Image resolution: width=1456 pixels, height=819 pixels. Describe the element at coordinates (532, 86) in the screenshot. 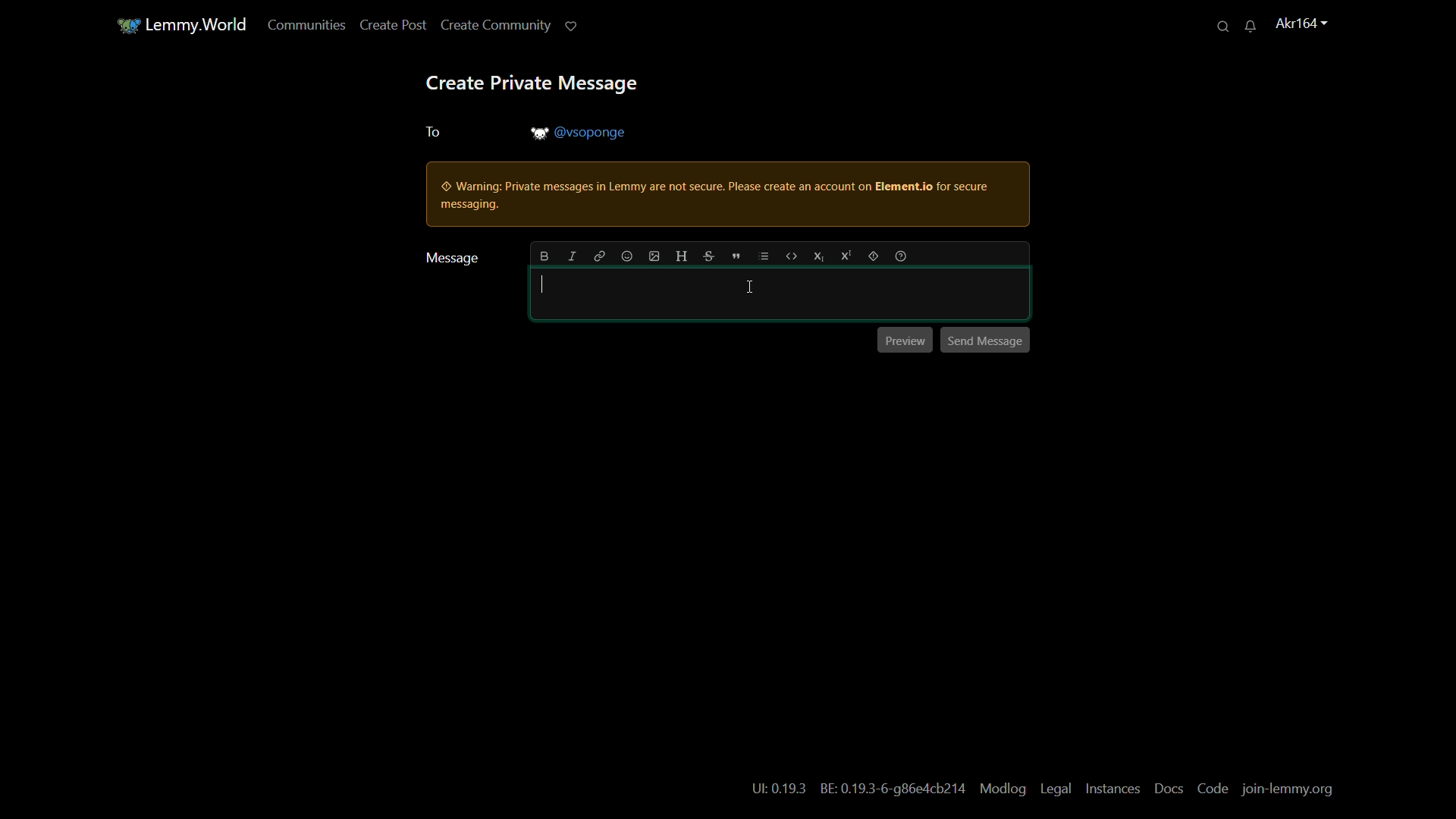

I see `create private message` at that location.